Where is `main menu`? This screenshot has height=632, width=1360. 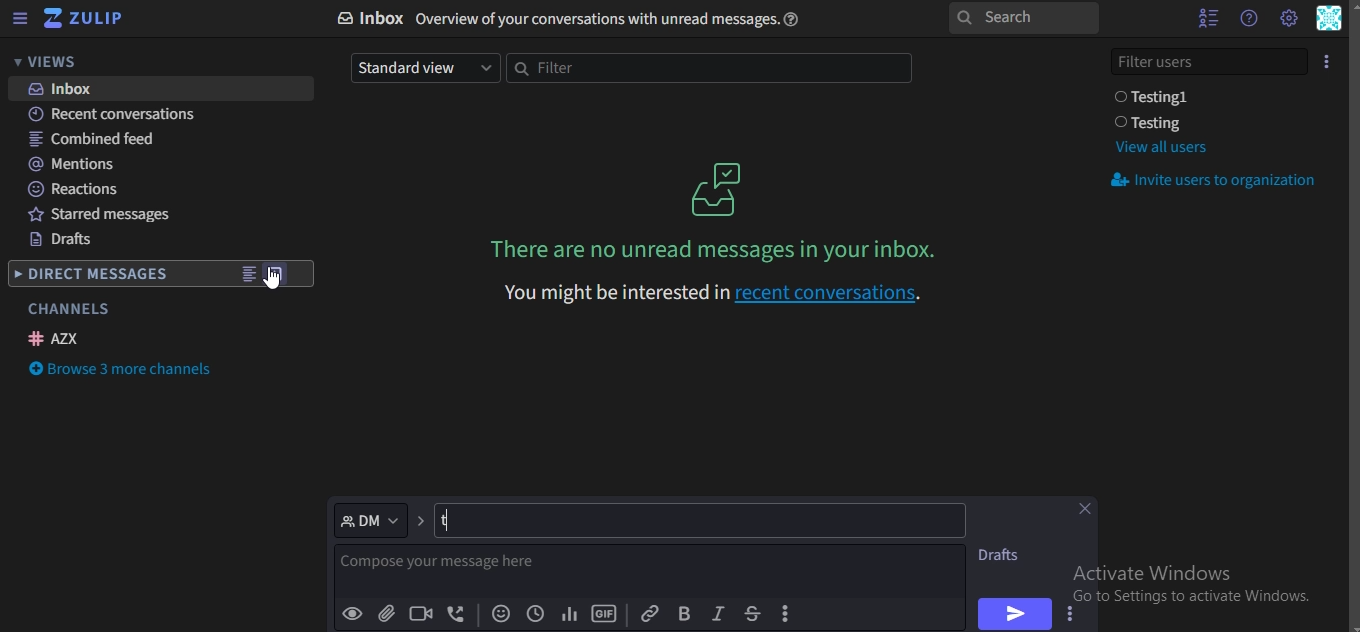
main menu is located at coordinates (1288, 18).